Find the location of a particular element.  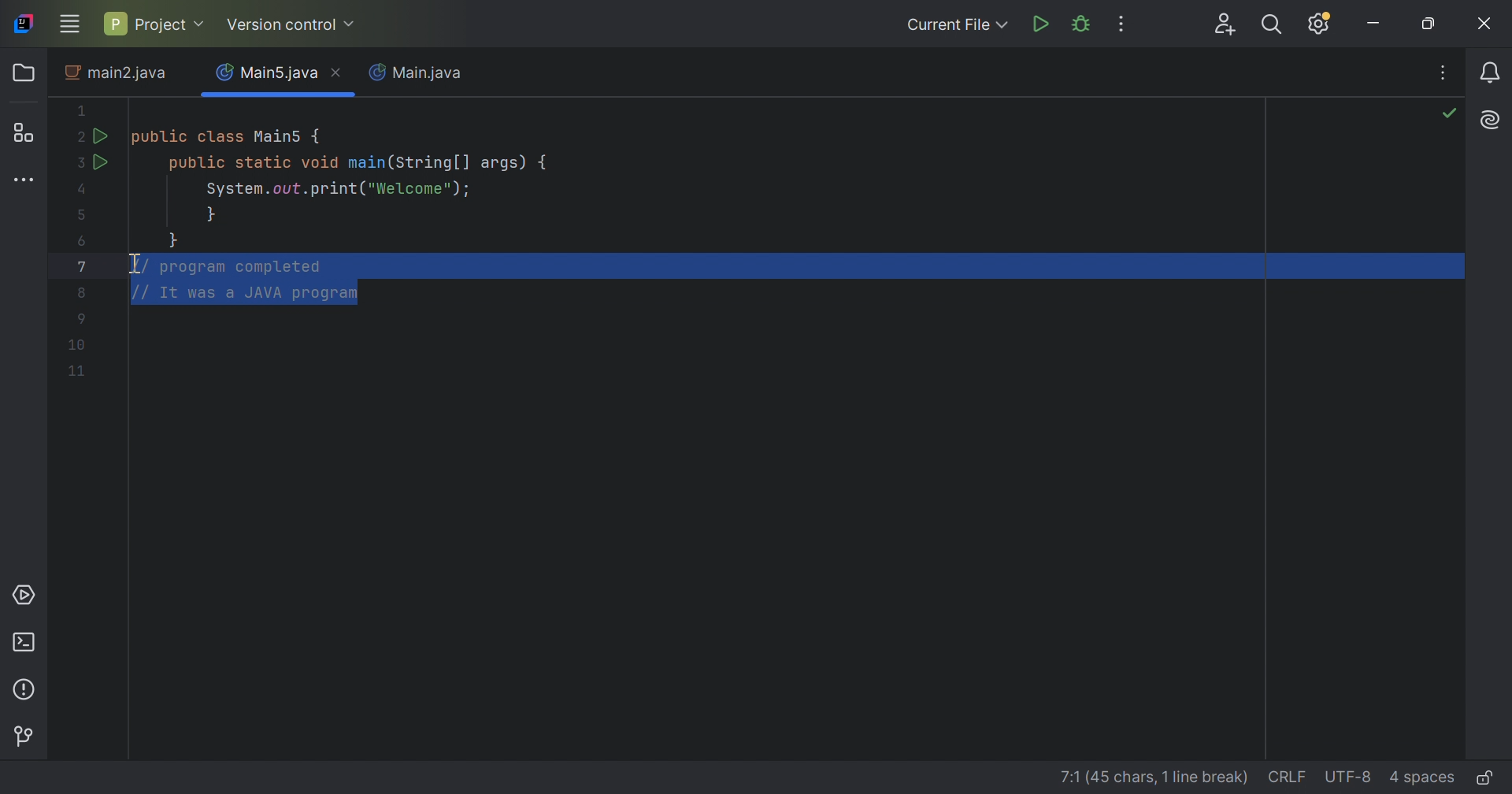

Problems is located at coordinates (26, 688).